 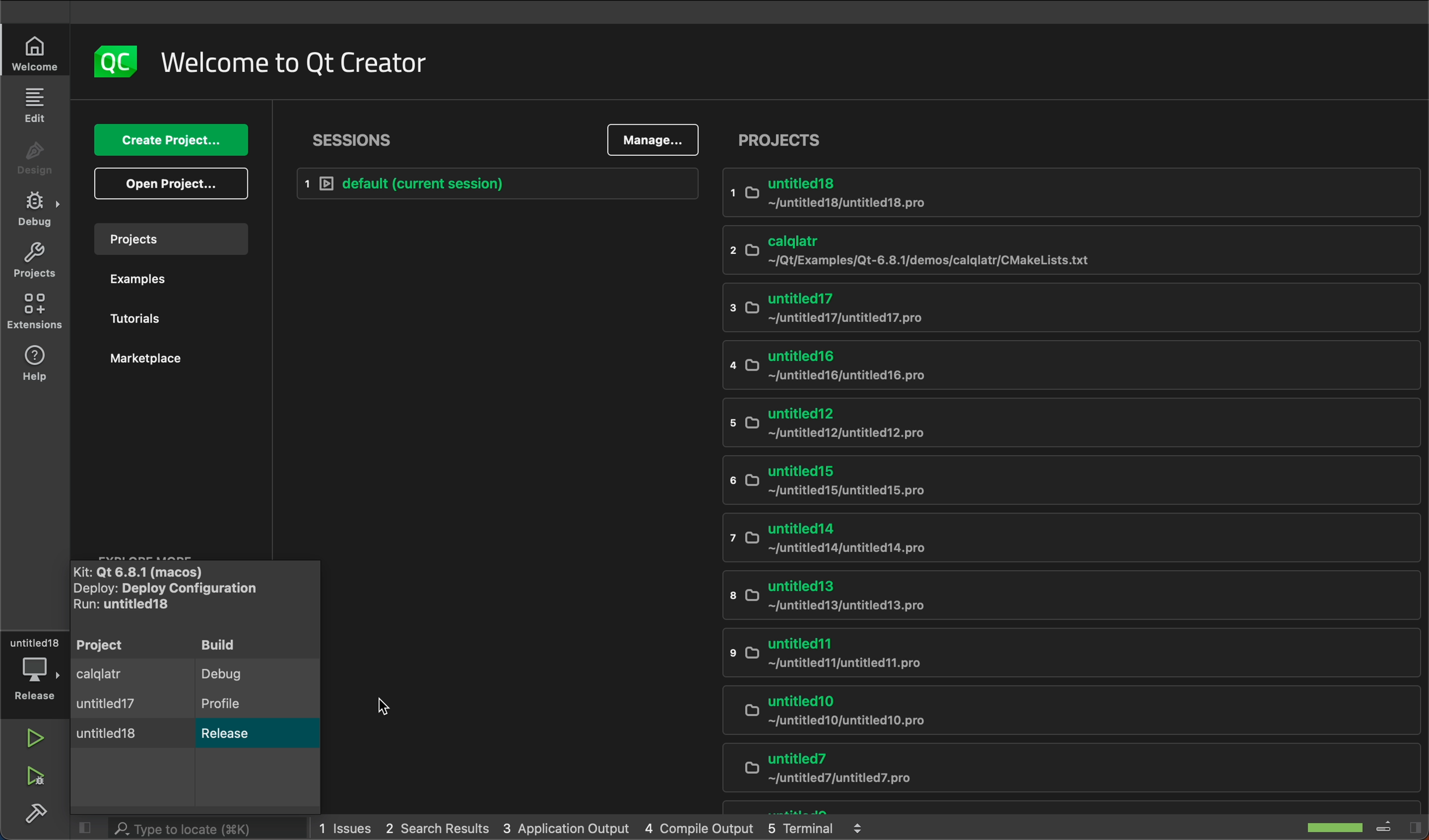 I want to click on Current session, so click(x=501, y=184).